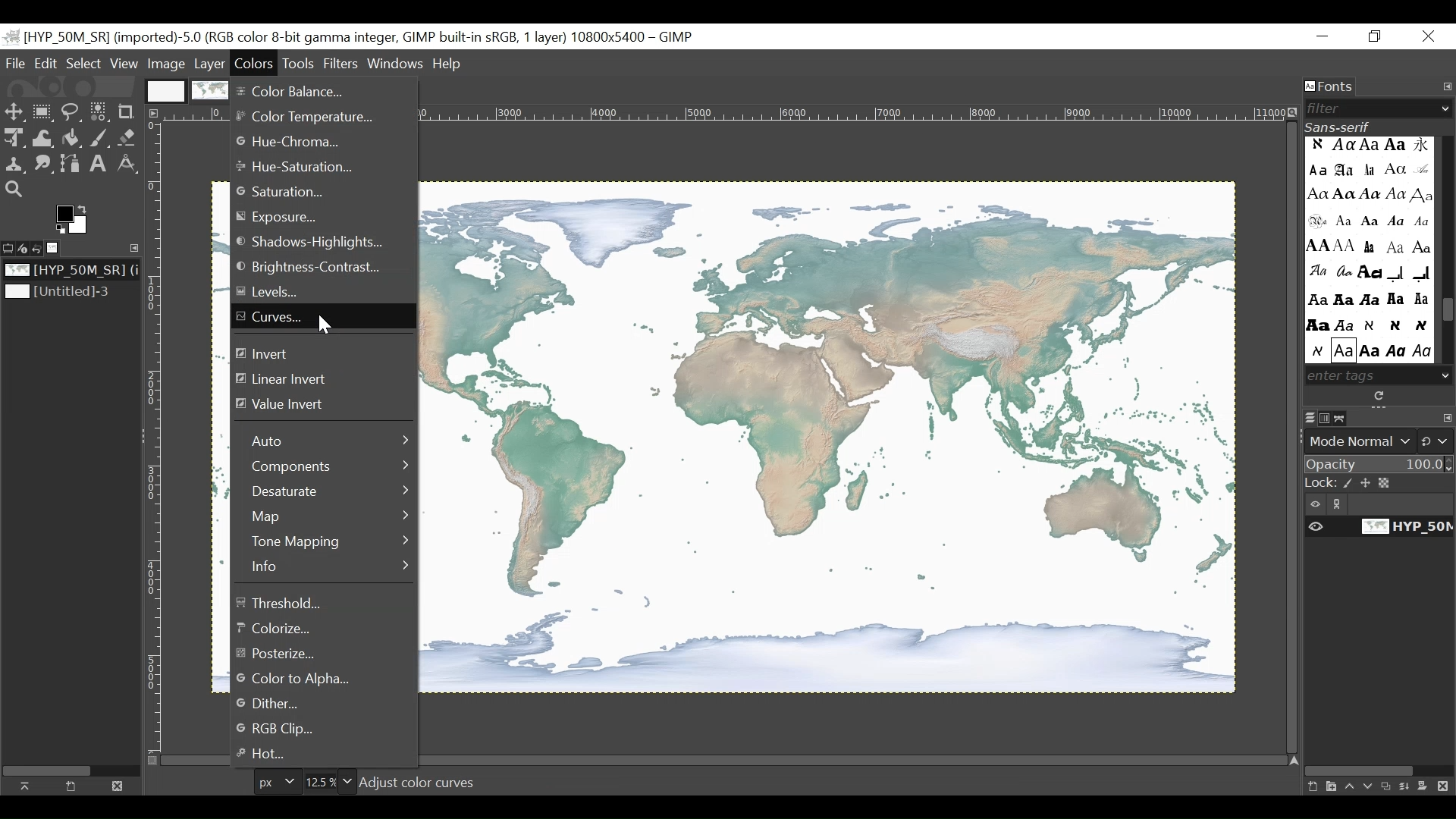 The image size is (1456, 819). I want to click on Enter Tags, so click(1368, 249).